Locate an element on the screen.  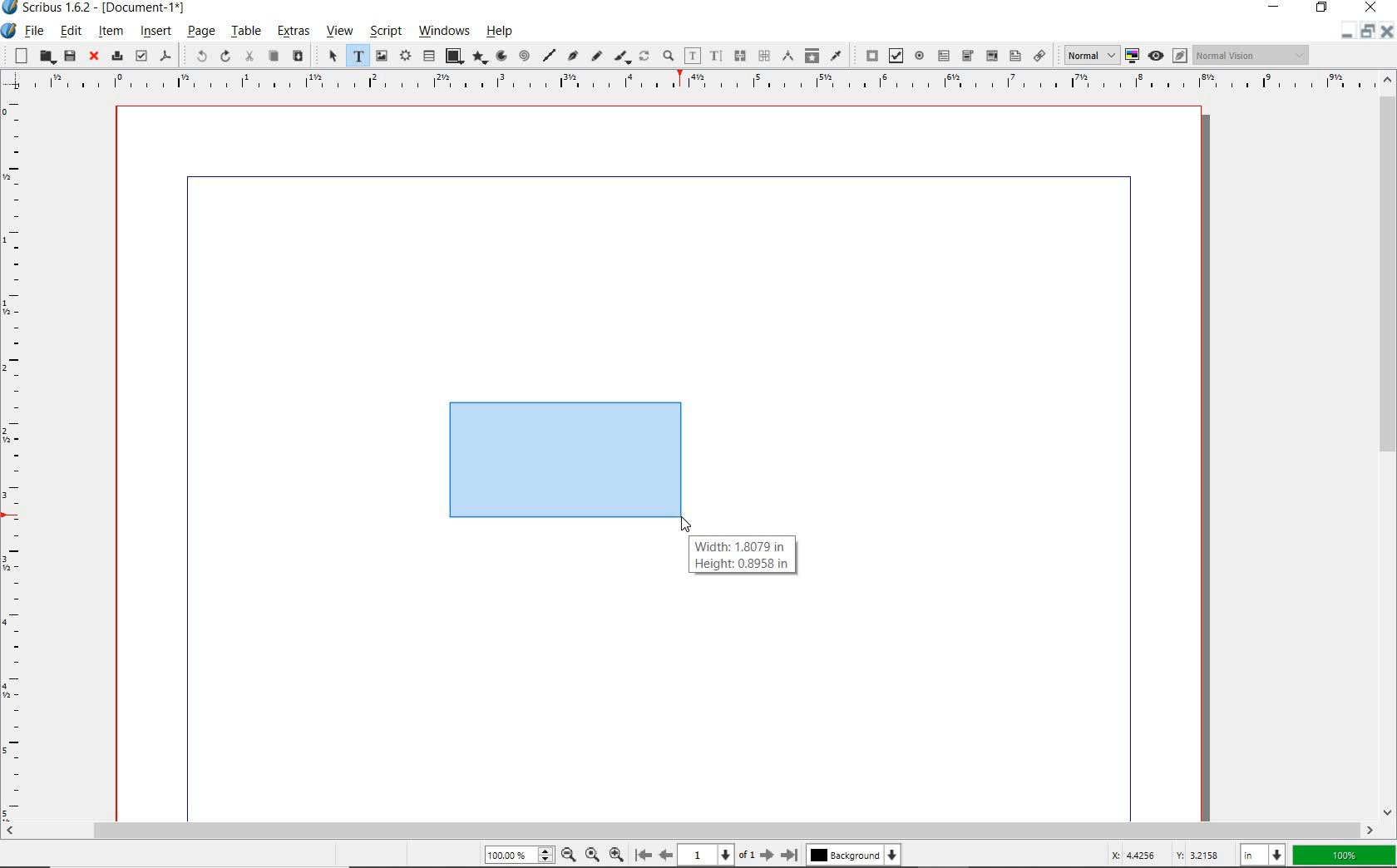
minimize is located at coordinates (1365, 32).